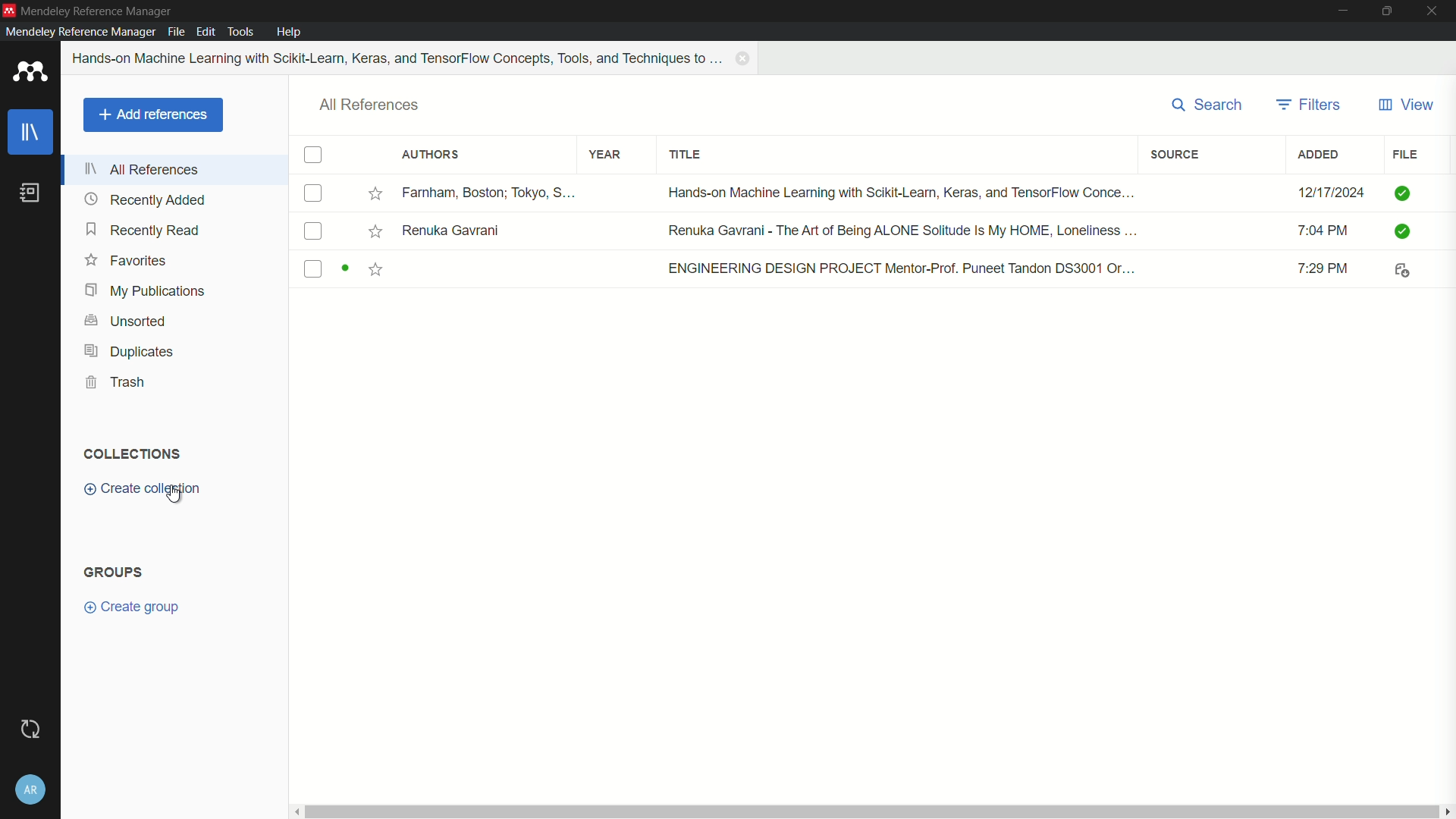  I want to click on minimize, so click(1344, 11).